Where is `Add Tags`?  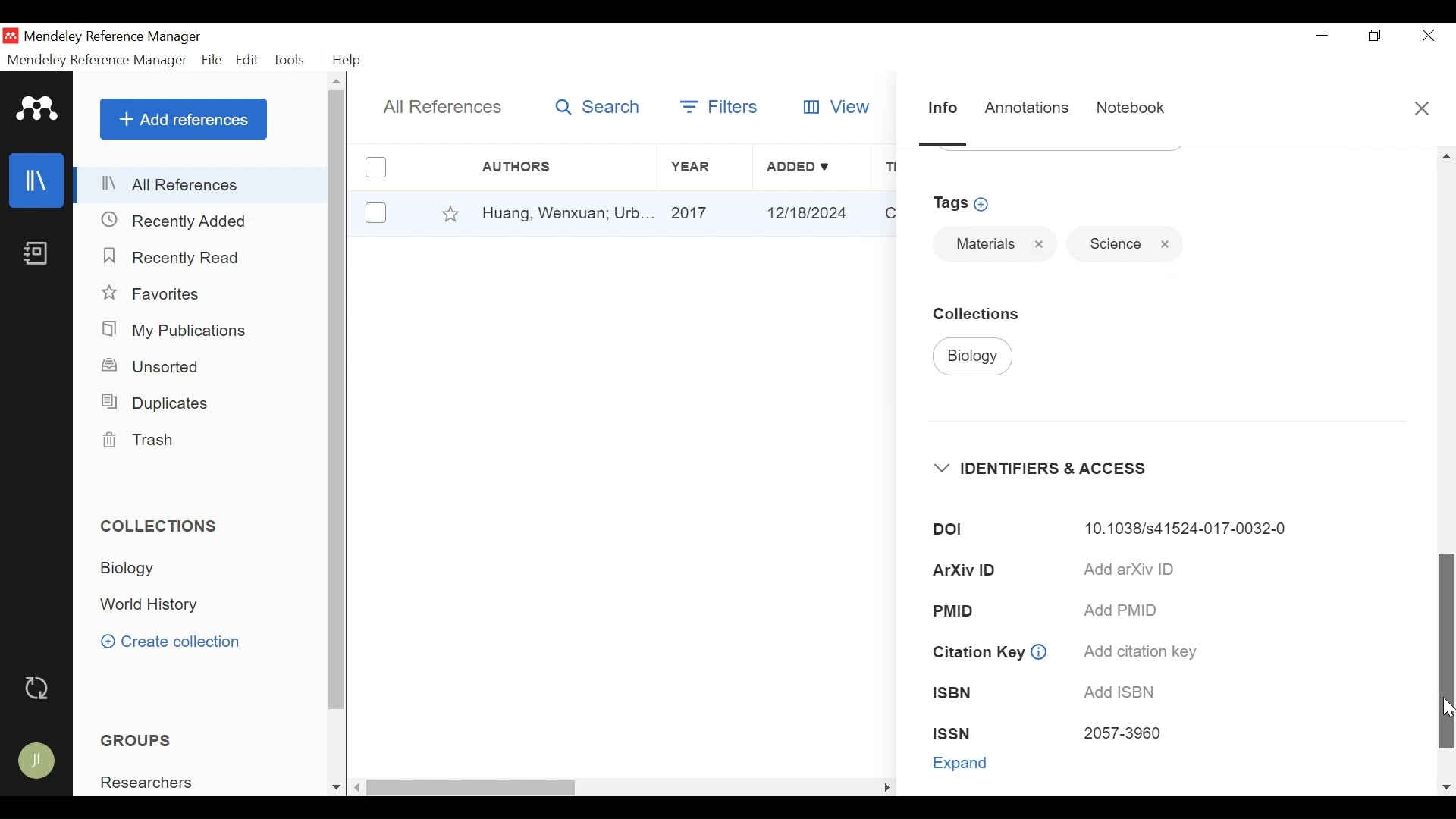 Add Tags is located at coordinates (965, 203).